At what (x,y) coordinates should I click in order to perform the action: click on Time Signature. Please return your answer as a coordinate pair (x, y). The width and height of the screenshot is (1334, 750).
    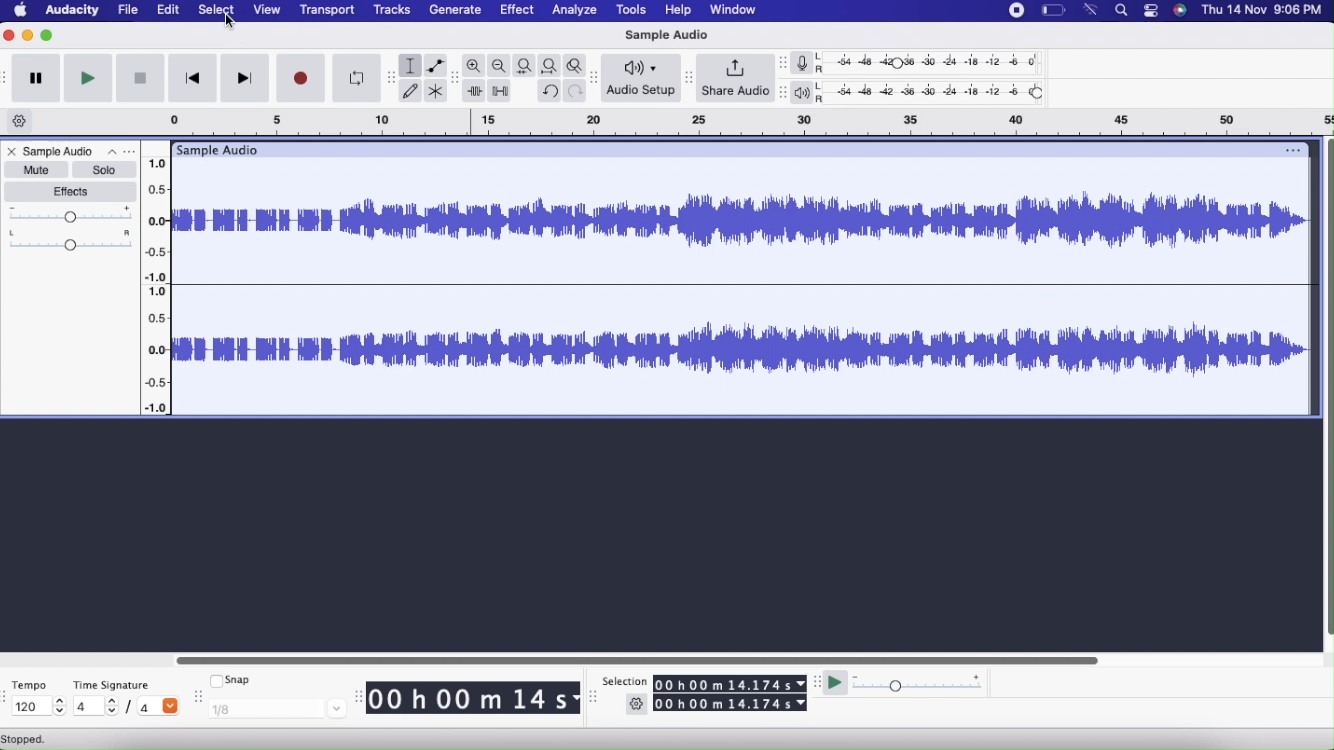
    Looking at the image, I should click on (112, 681).